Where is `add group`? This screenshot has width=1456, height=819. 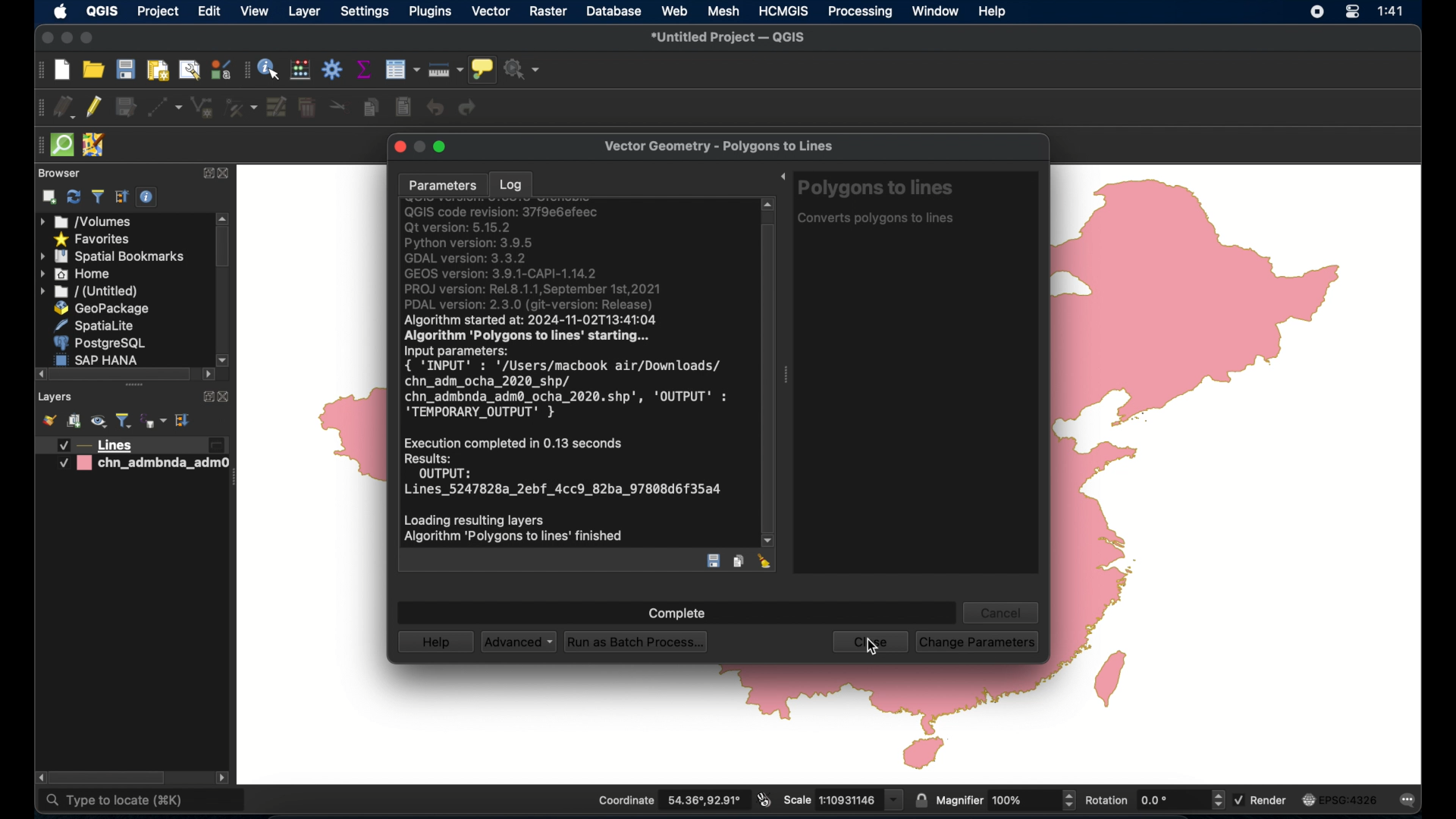 add group is located at coordinates (74, 420).